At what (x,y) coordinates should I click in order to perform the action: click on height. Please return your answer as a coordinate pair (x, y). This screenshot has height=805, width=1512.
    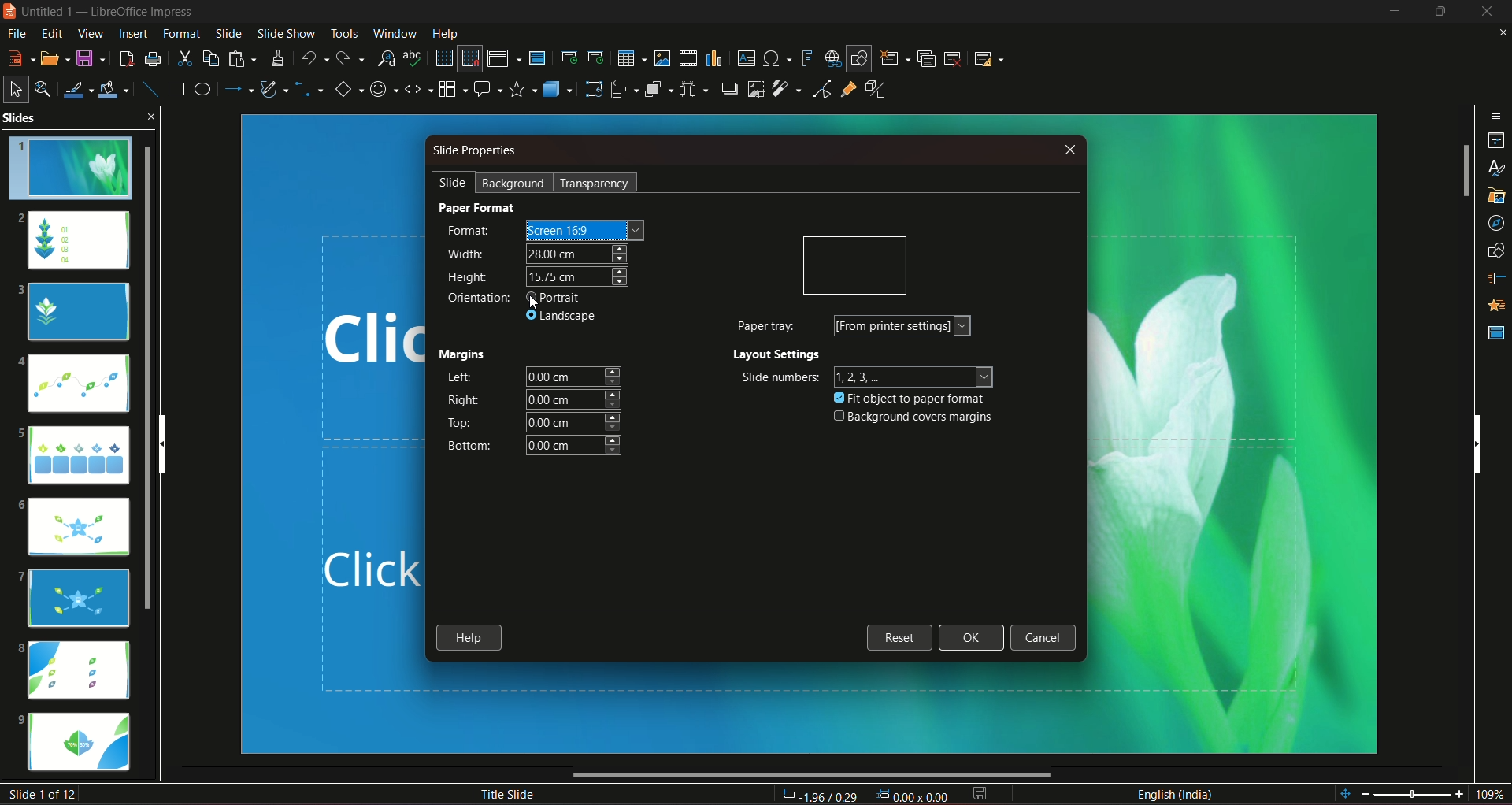
    Looking at the image, I should click on (469, 278).